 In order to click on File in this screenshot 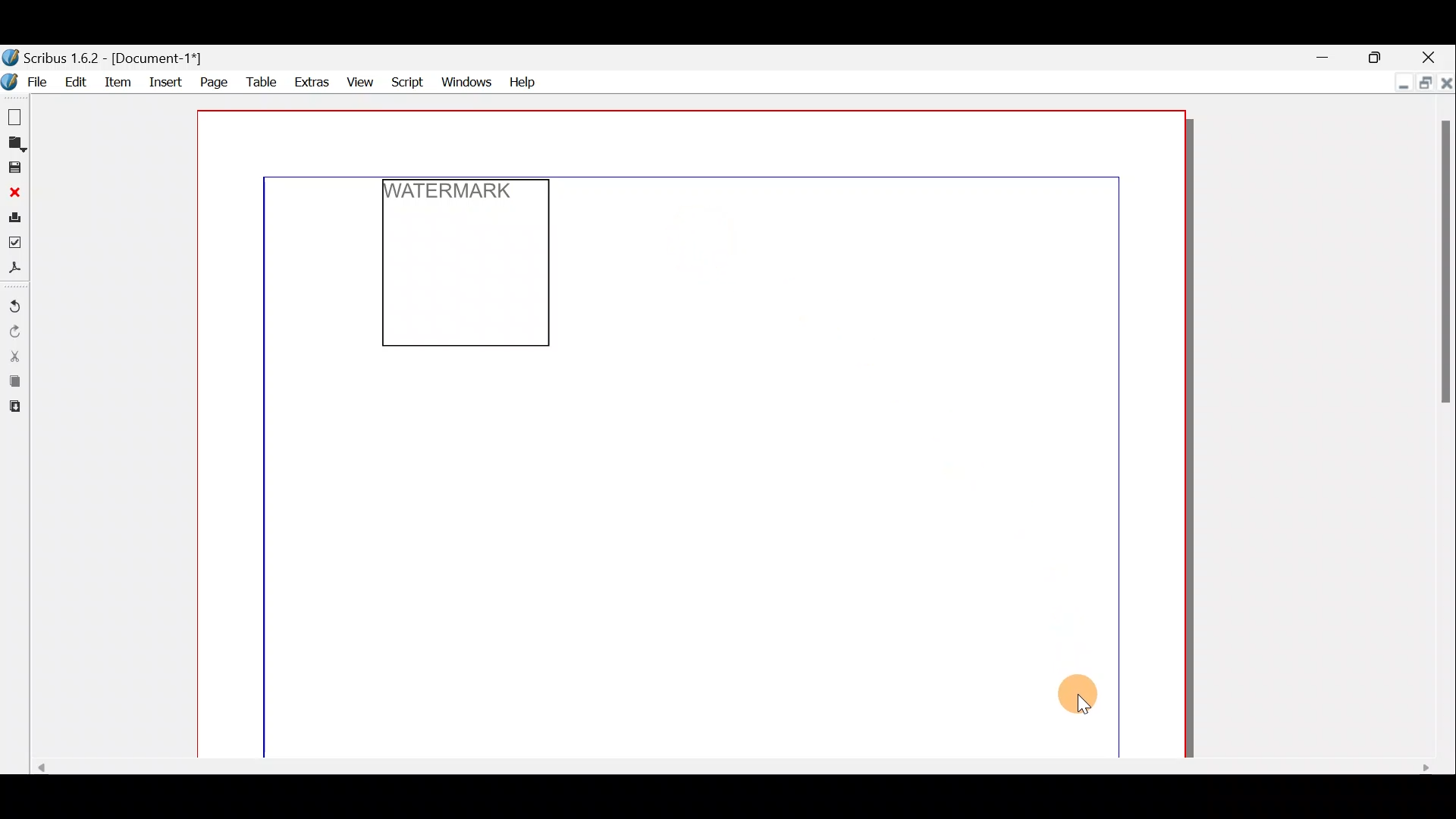, I will do `click(28, 81)`.